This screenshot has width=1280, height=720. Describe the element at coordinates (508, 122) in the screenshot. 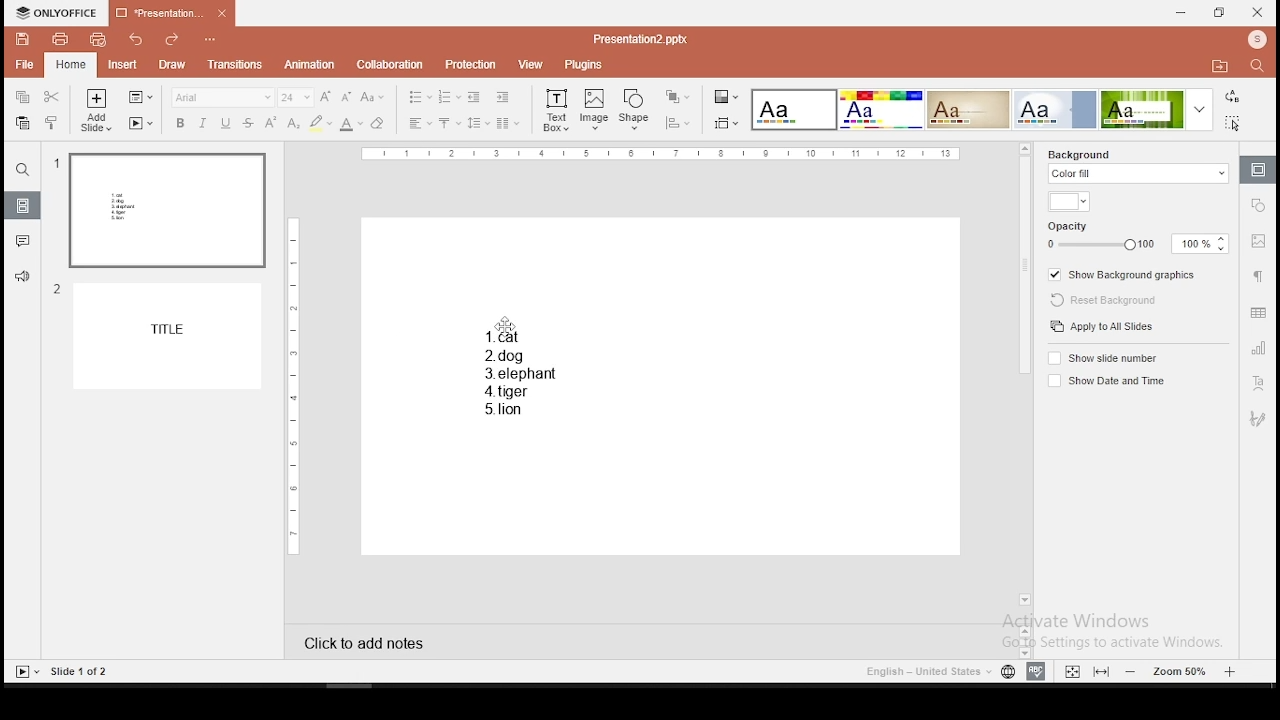

I see `columns` at that location.